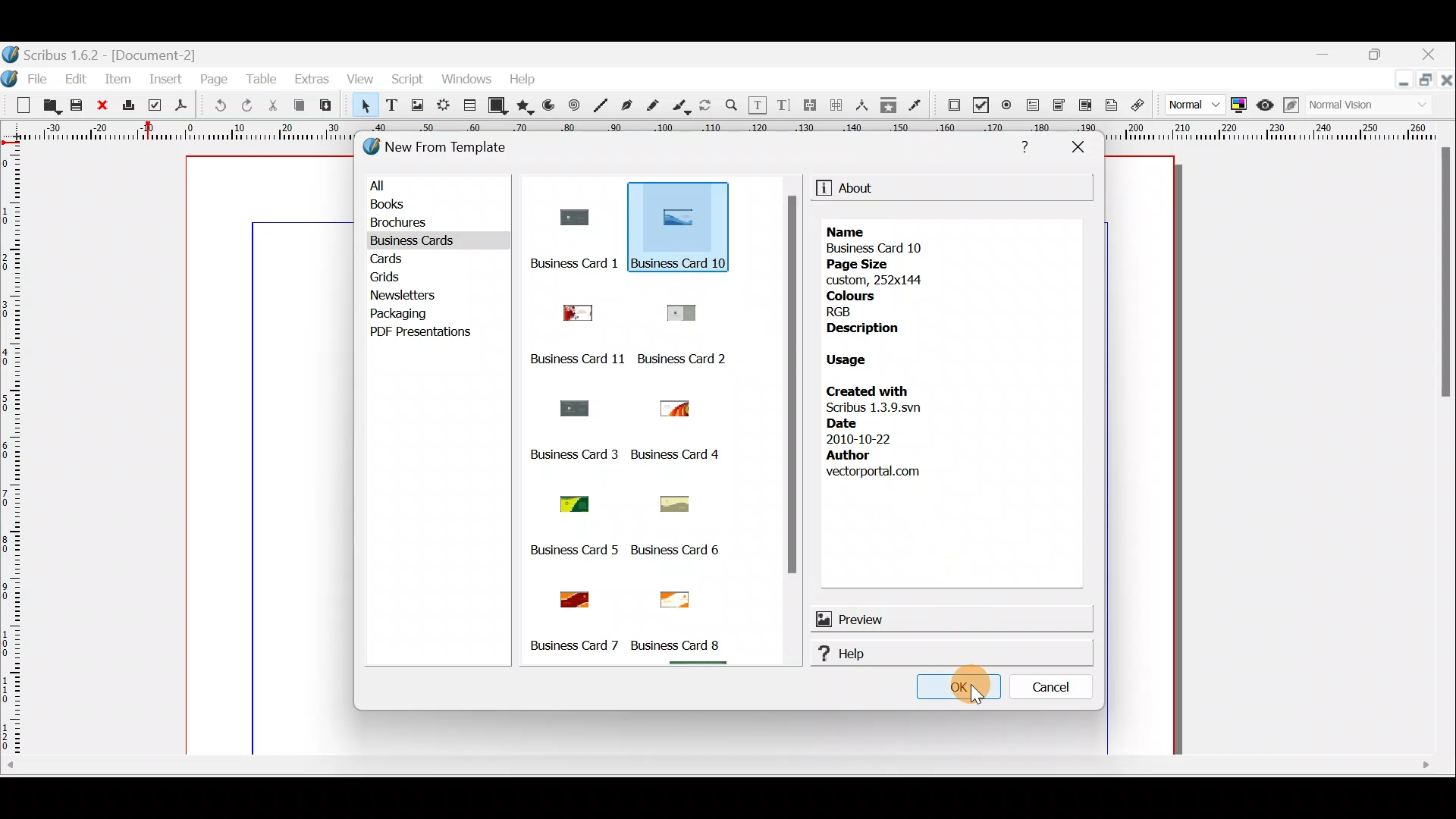  Describe the element at coordinates (468, 107) in the screenshot. I see `Table` at that location.